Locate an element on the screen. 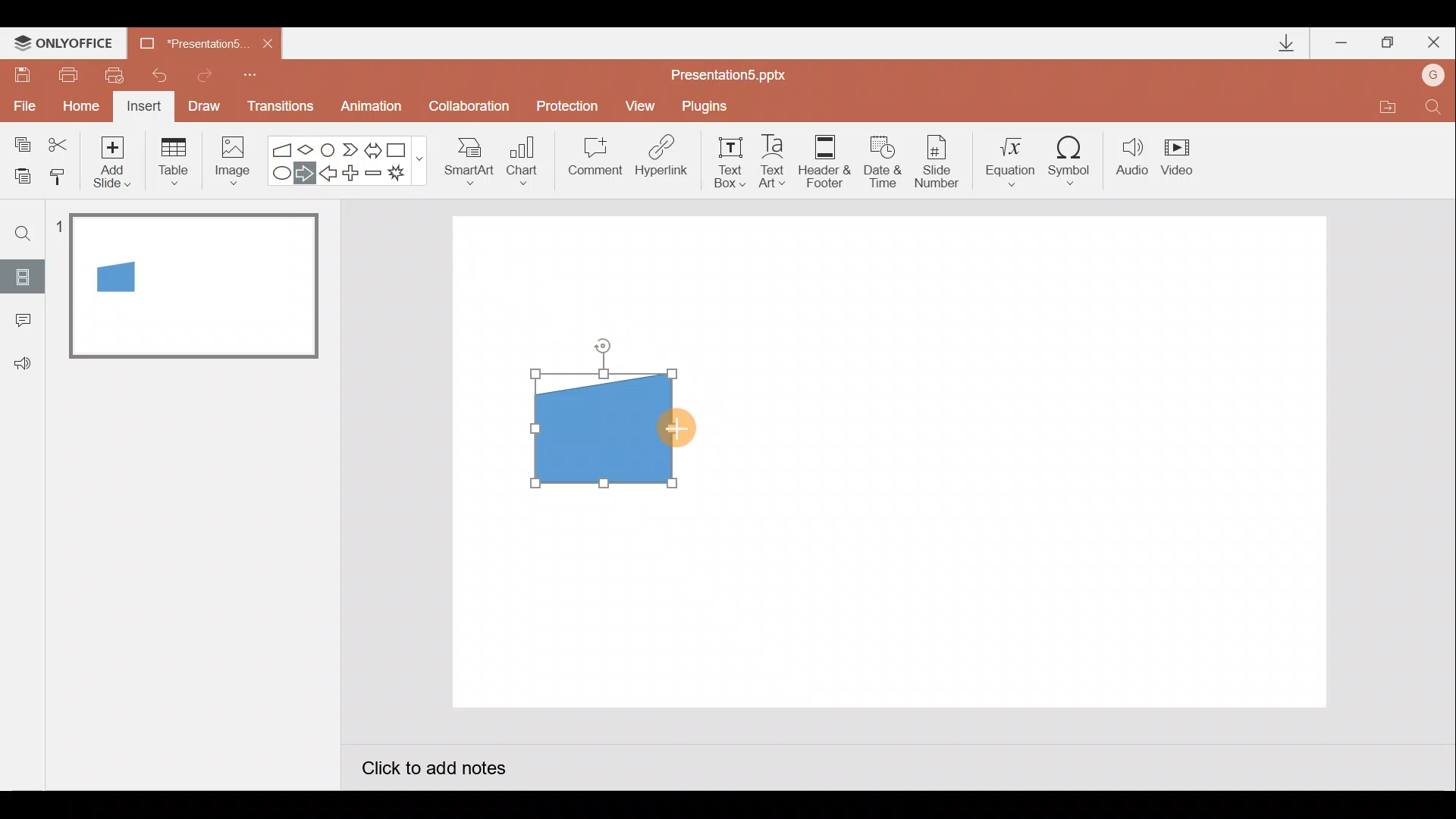  ONLYOFFICE is located at coordinates (67, 43).